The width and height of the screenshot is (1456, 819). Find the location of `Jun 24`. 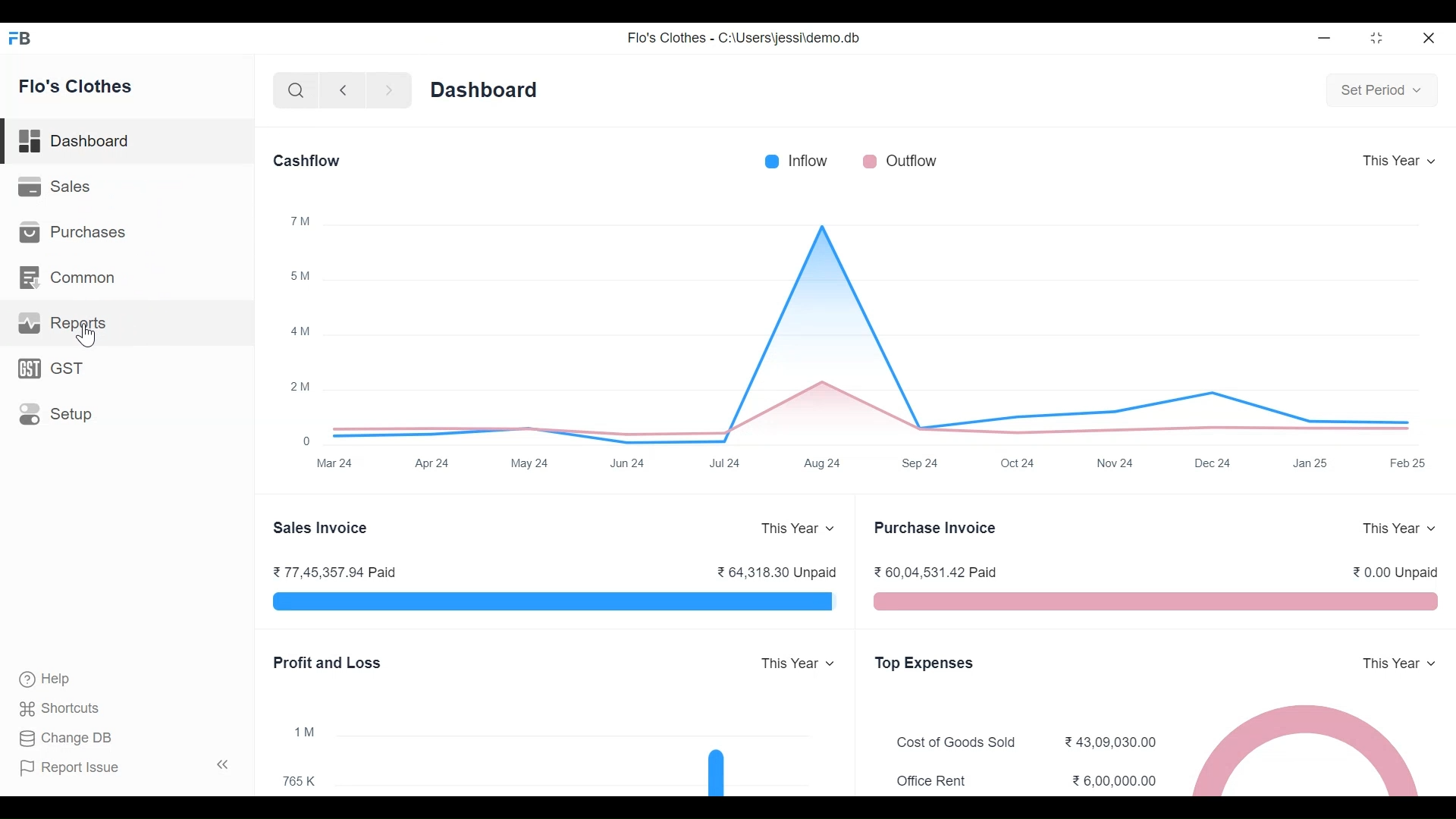

Jun 24 is located at coordinates (628, 463).